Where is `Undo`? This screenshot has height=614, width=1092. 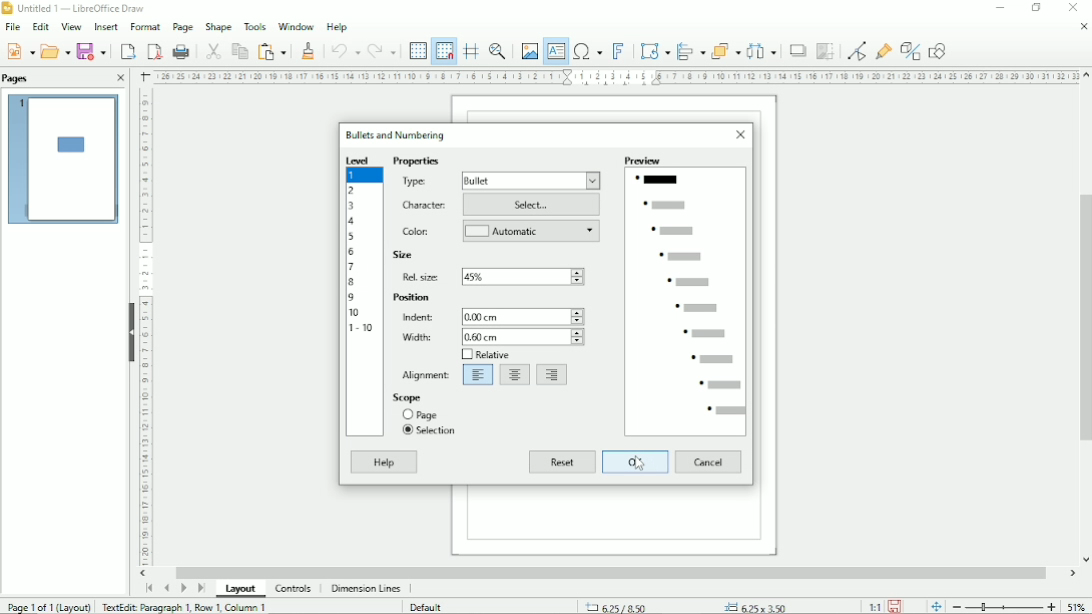
Undo is located at coordinates (344, 49).